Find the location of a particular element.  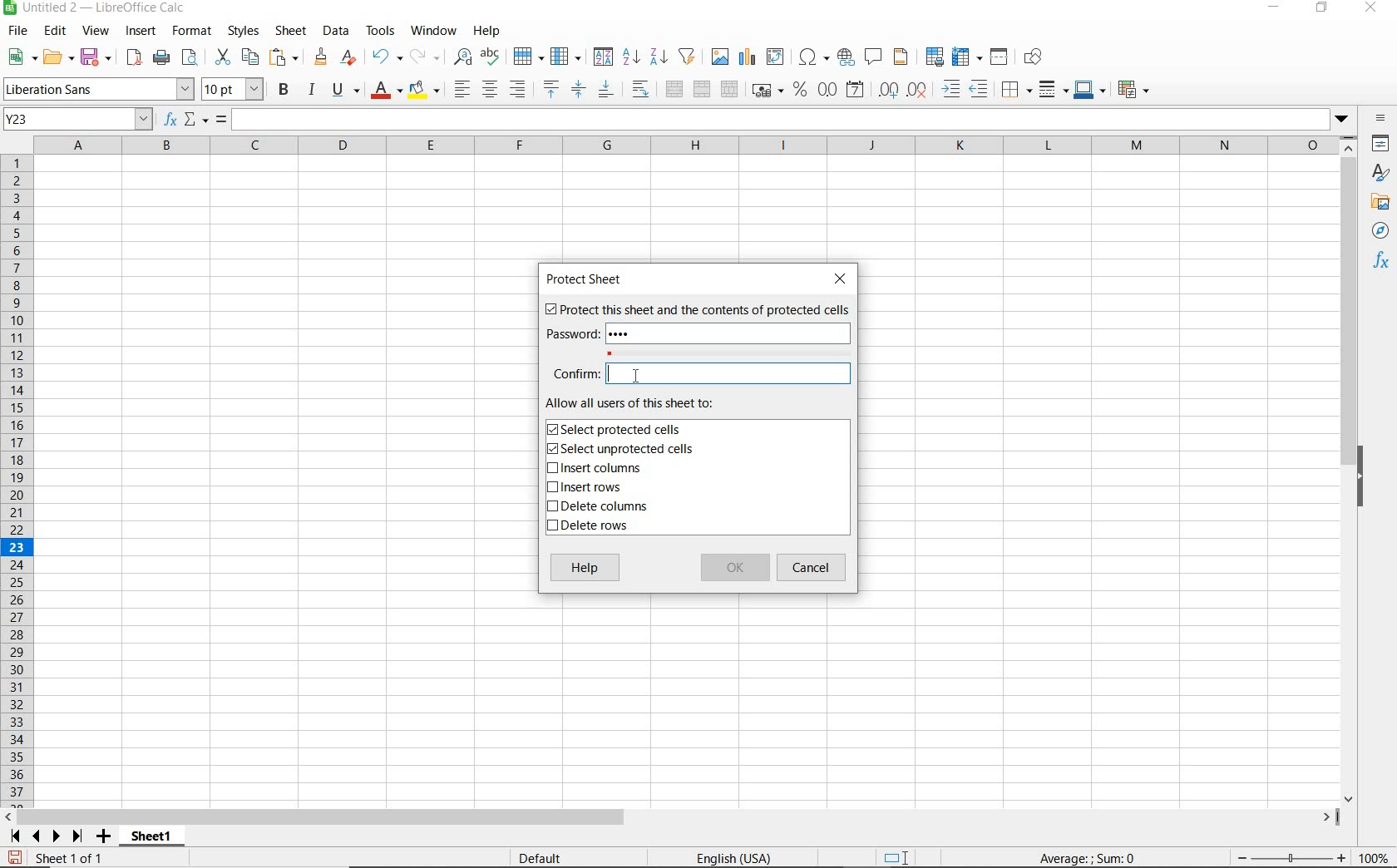

DELETE COLUMNS is located at coordinates (605, 508).